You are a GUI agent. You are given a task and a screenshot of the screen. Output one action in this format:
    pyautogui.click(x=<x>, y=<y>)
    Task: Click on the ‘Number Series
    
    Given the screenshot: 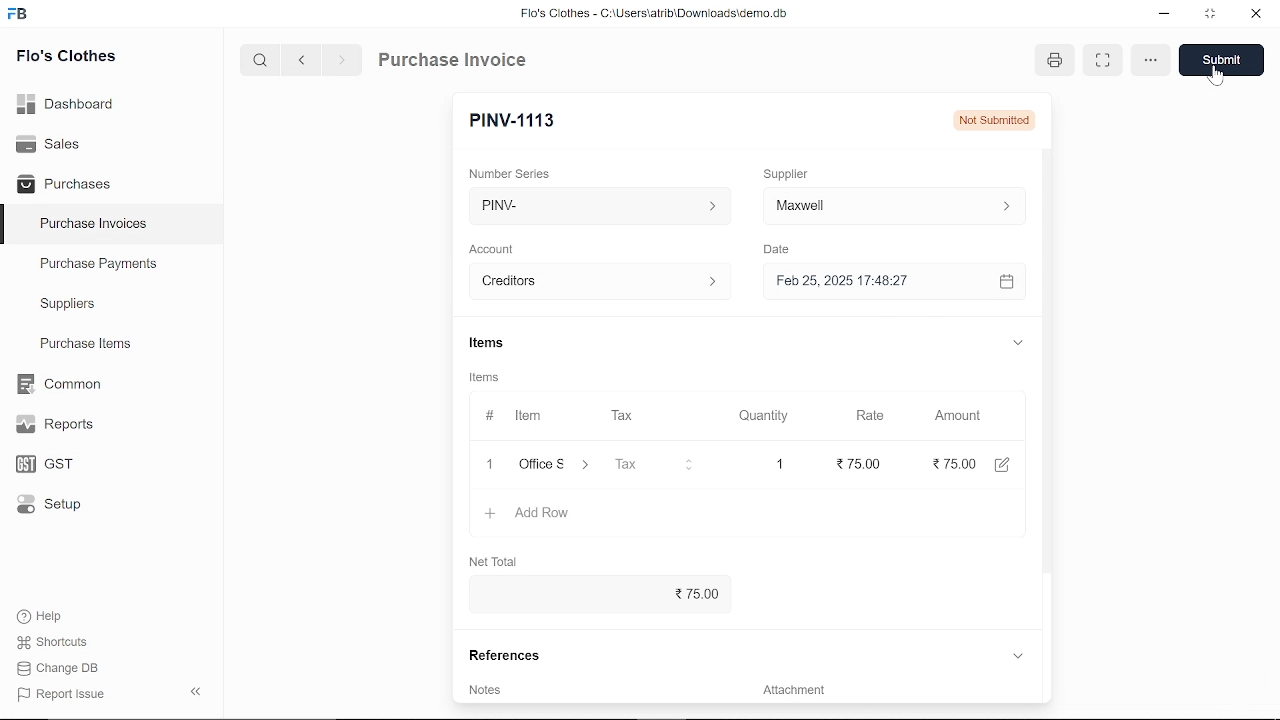 What is the action you would take?
    pyautogui.click(x=516, y=173)
    